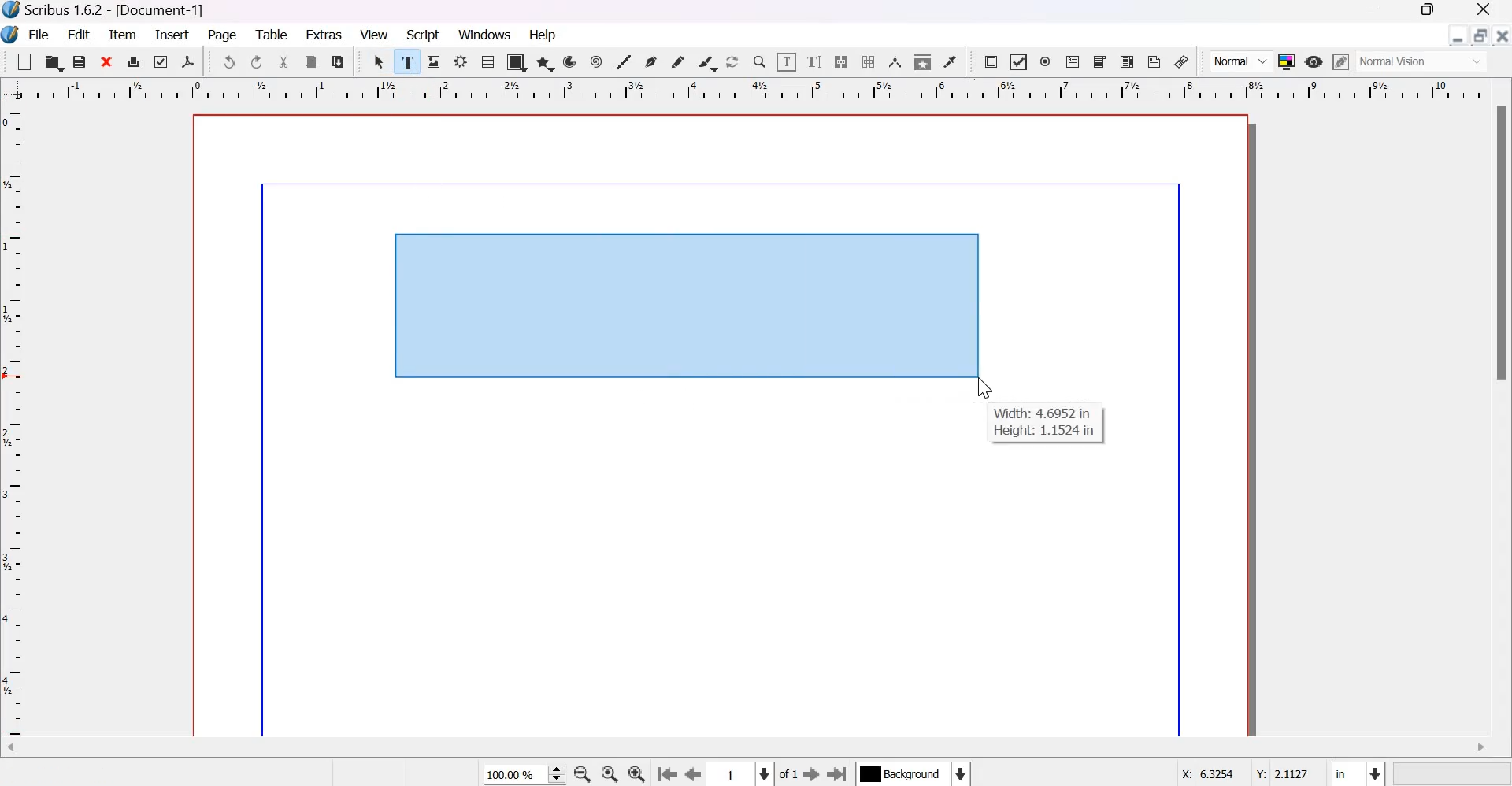 This screenshot has height=786, width=1512. I want to click on cut, so click(285, 62).